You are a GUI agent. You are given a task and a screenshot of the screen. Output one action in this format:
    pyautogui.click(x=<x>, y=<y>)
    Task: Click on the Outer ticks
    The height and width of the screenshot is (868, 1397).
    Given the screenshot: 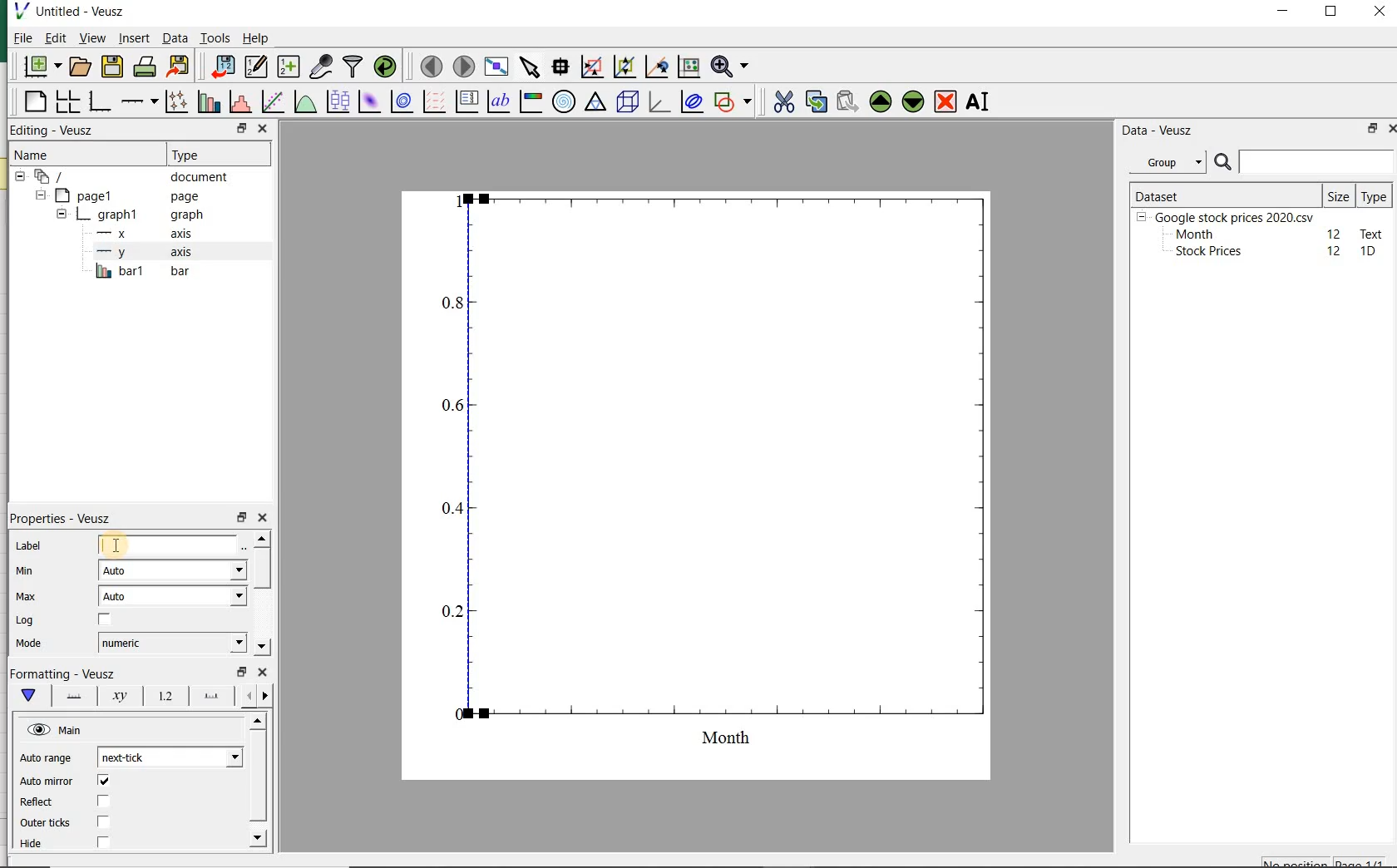 What is the action you would take?
    pyautogui.click(x=45, y=823)
    